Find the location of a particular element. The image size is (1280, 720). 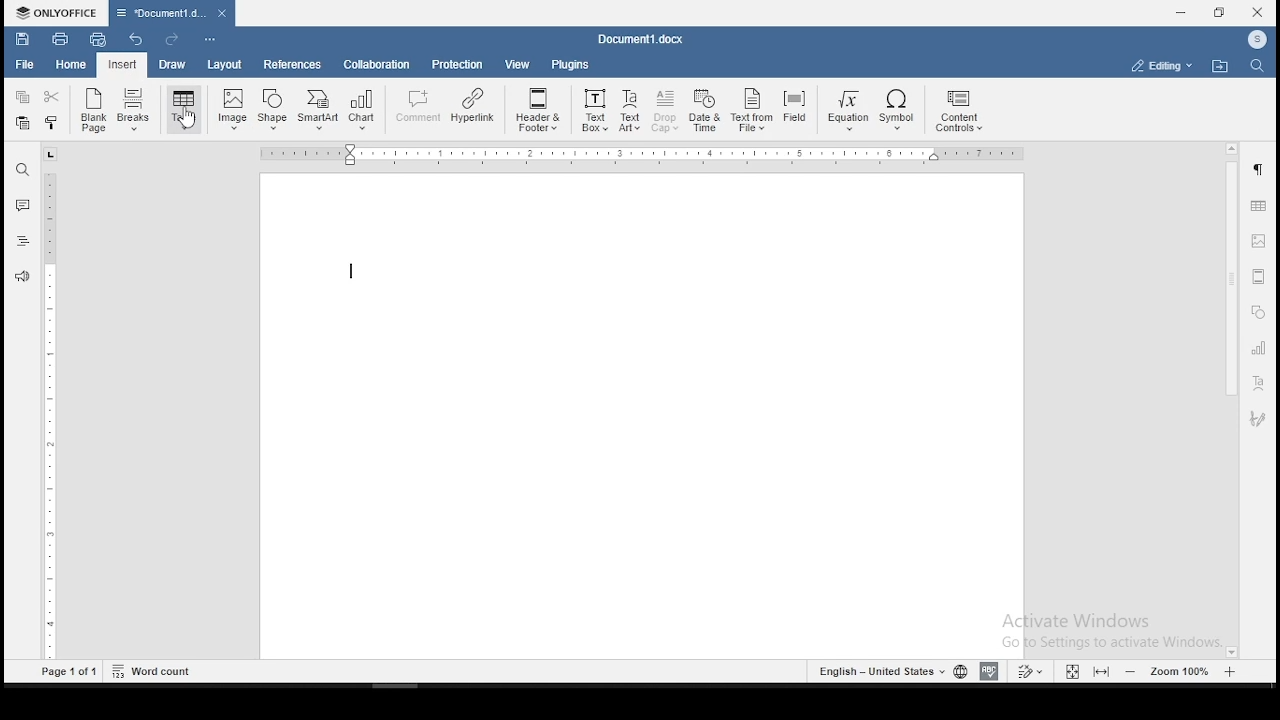

view is located at coordinates (519, 64).